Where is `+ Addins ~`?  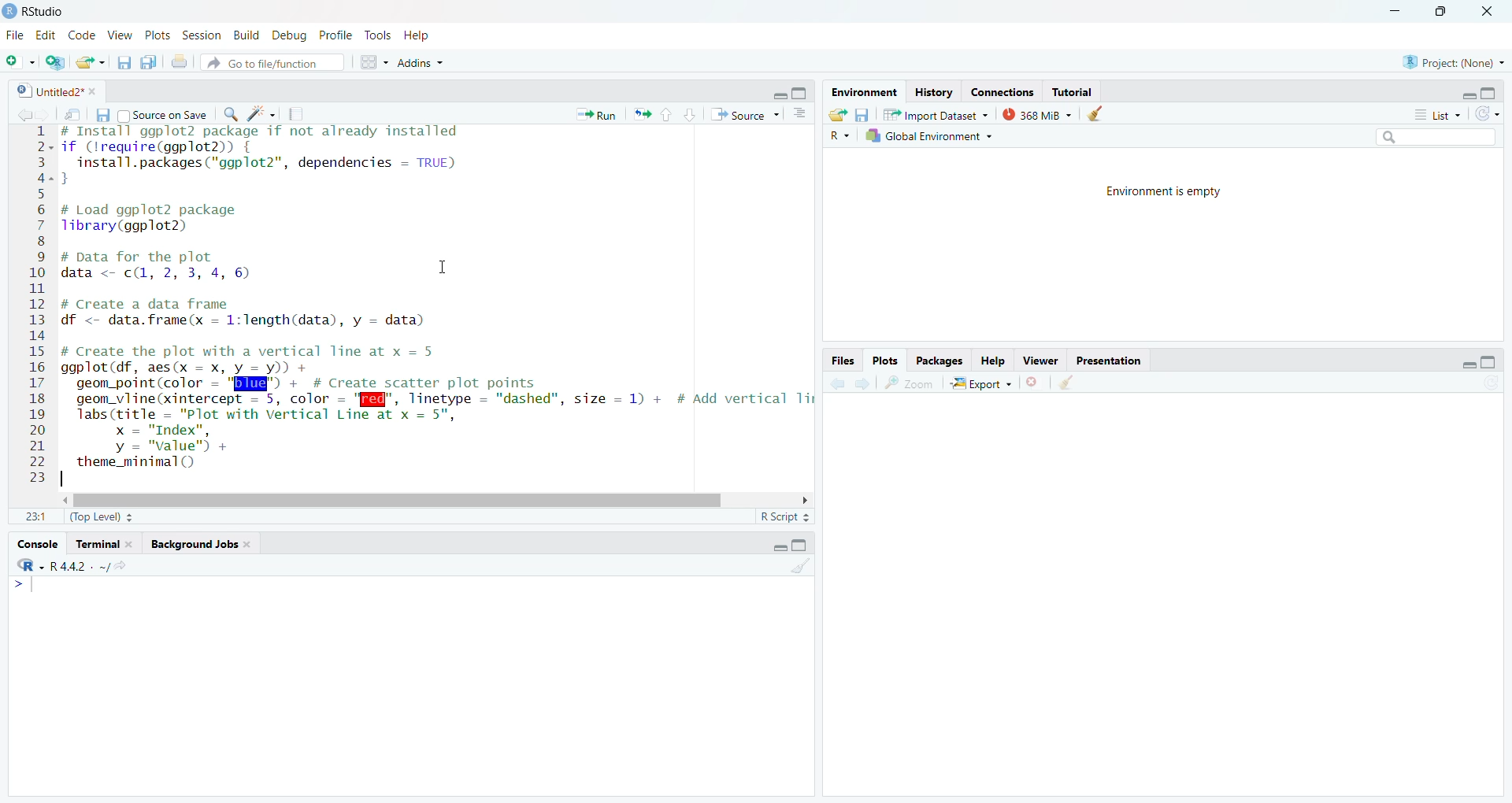 + Addins ~ is located at coordinates (427, 62).